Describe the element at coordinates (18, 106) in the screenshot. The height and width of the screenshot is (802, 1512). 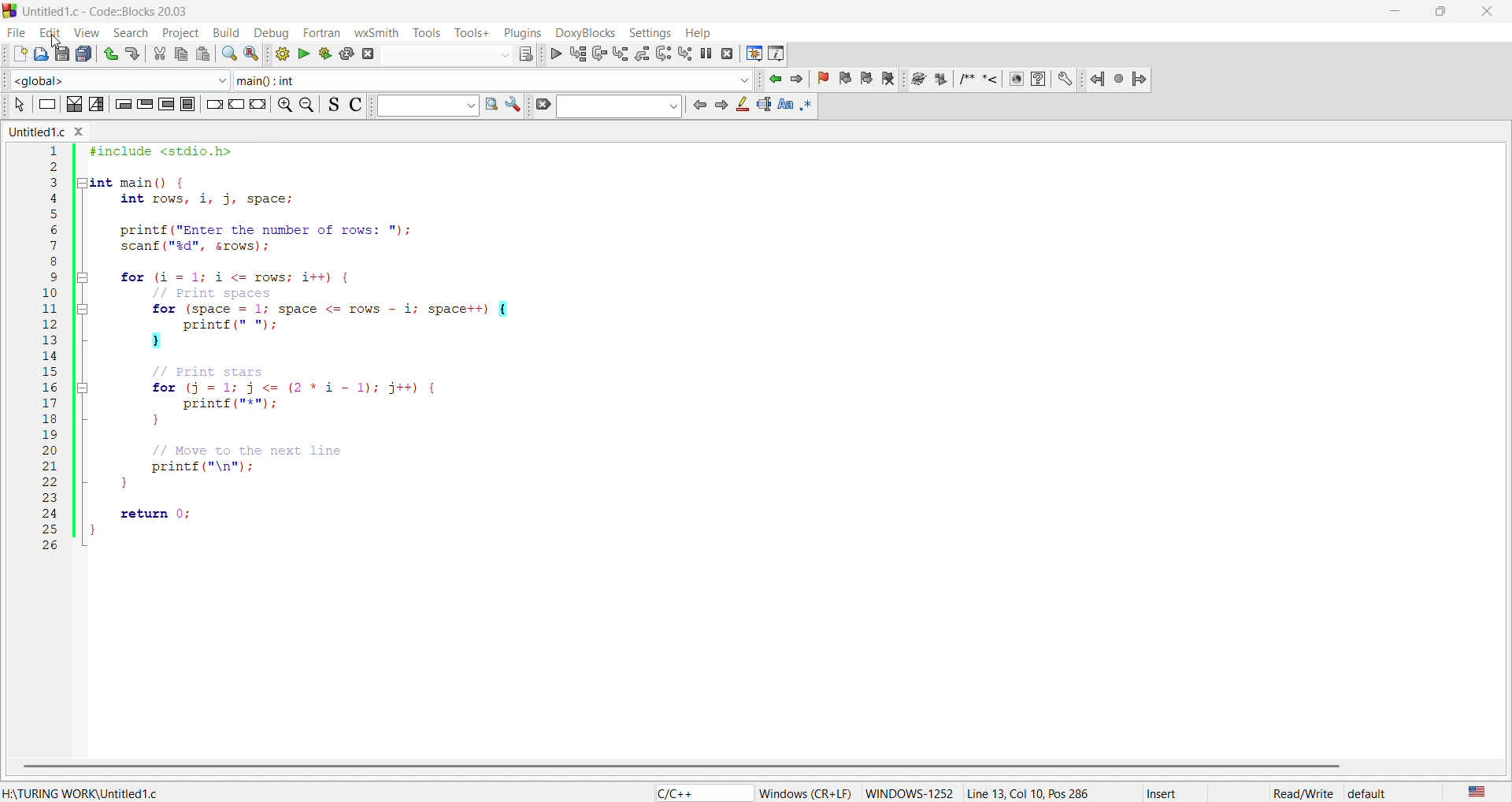
I see `select` at that location.